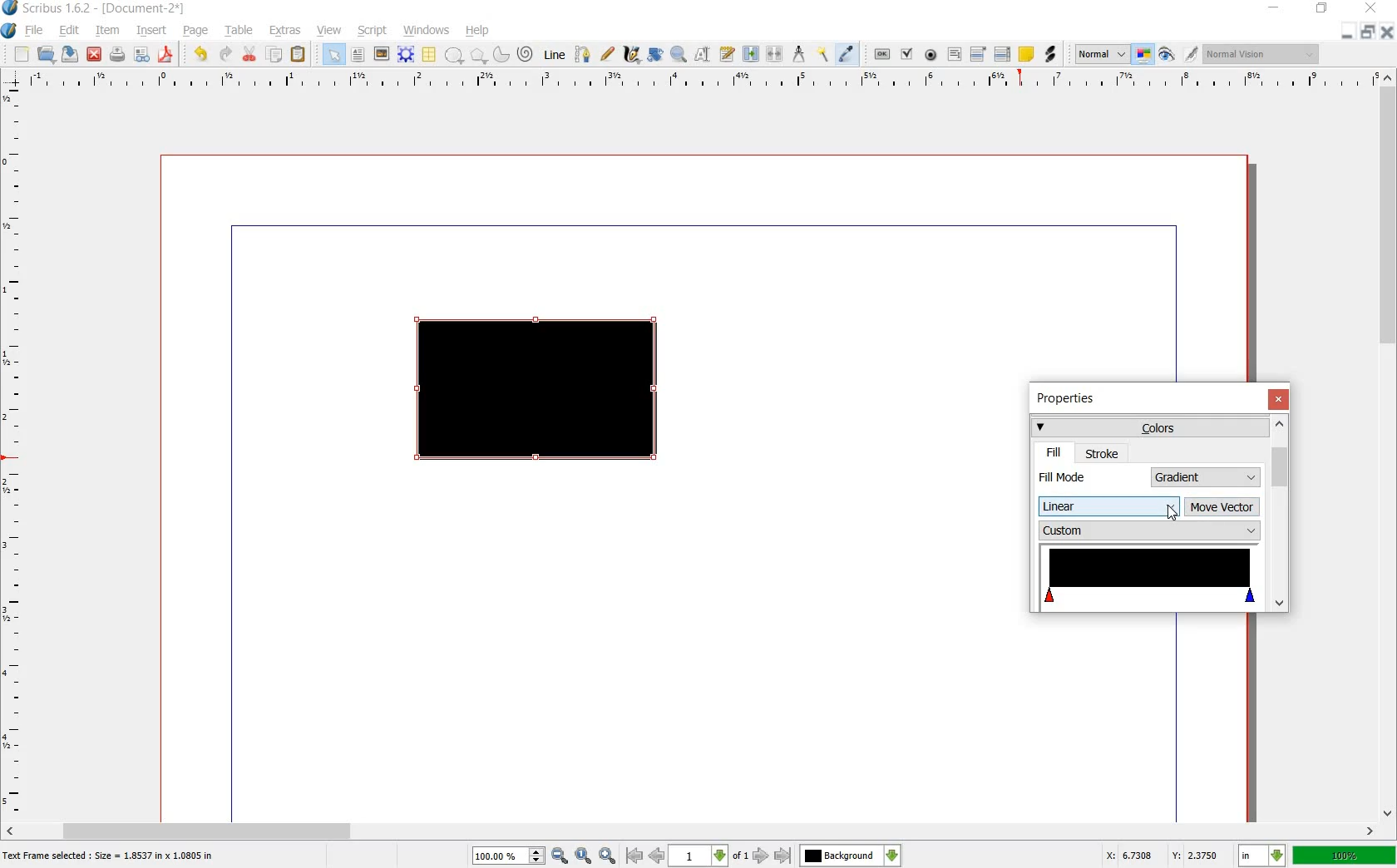  What do you see at coordinates (540, 392) in the screenshot?
I see `gradient added to shape` at bounding box center [540, 392].